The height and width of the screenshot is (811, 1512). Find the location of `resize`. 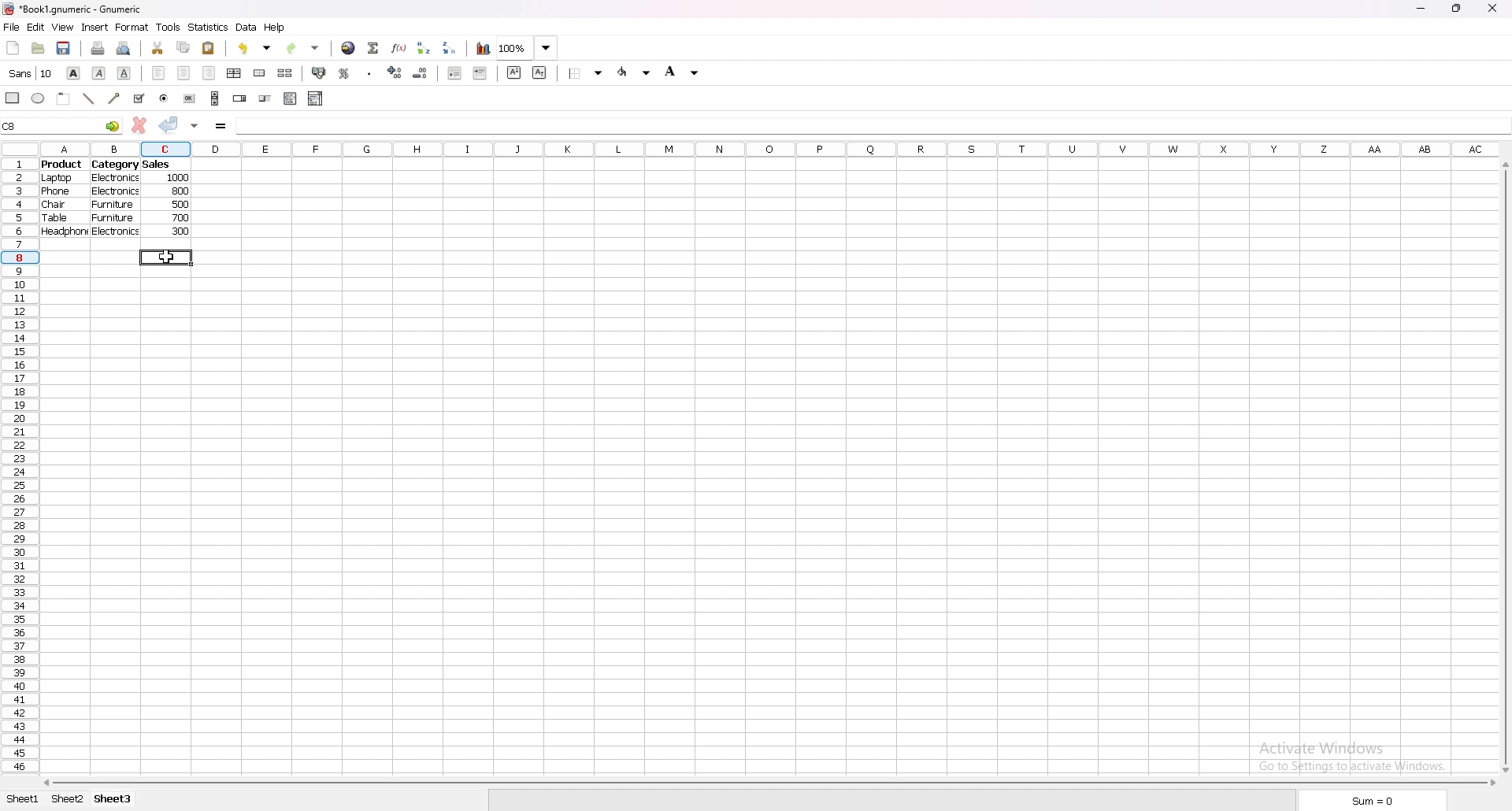

resize is located at coordinates (1456, 9).